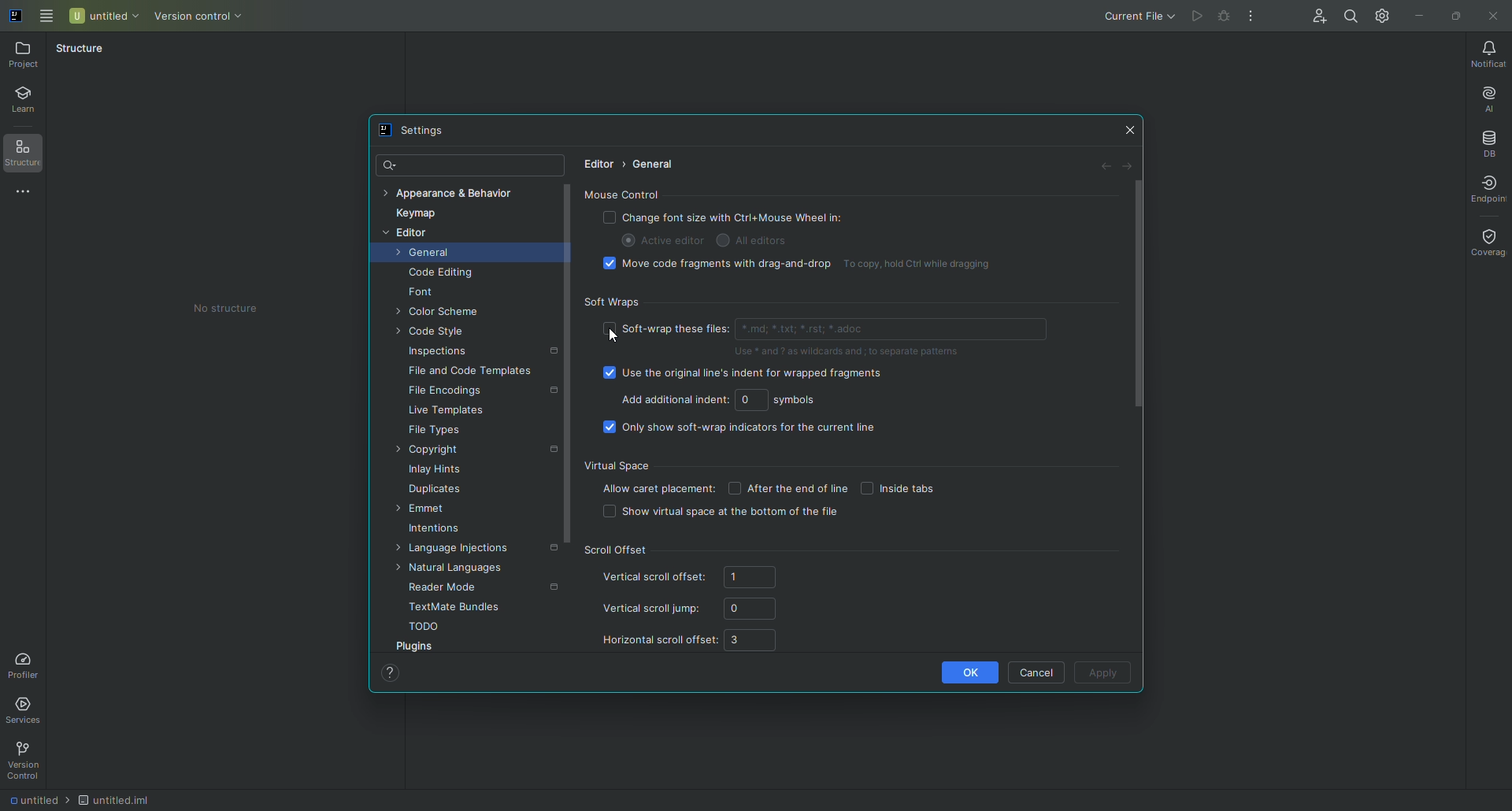 Image resolution: width=1512 pixels, height=811 pixels. What do you see at coordinates (1422, 15) in the screenshot?
I see `Minimize` at bounding box center [1422, 15].